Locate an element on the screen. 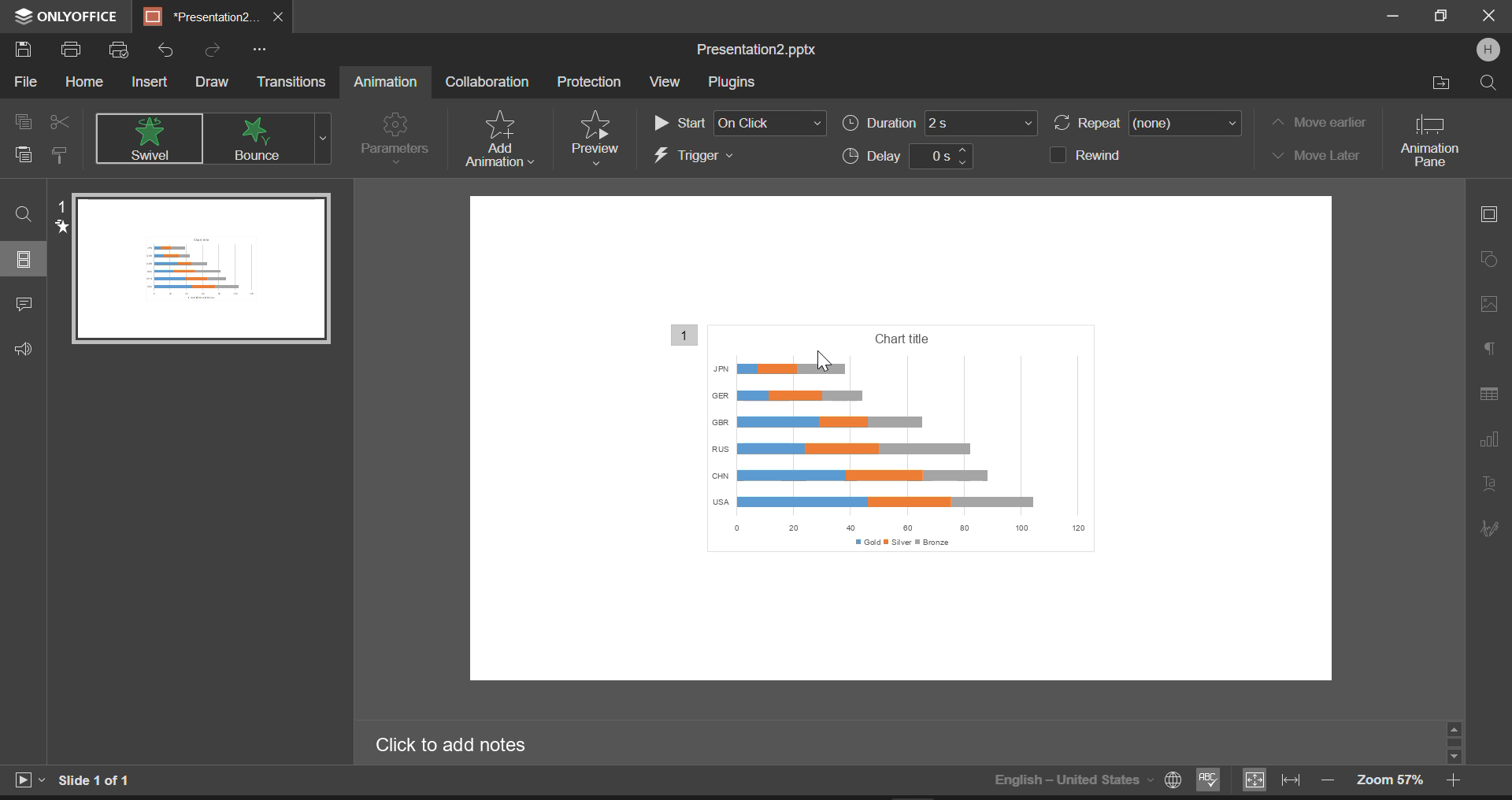  Print is located at coordinates (74, 51).